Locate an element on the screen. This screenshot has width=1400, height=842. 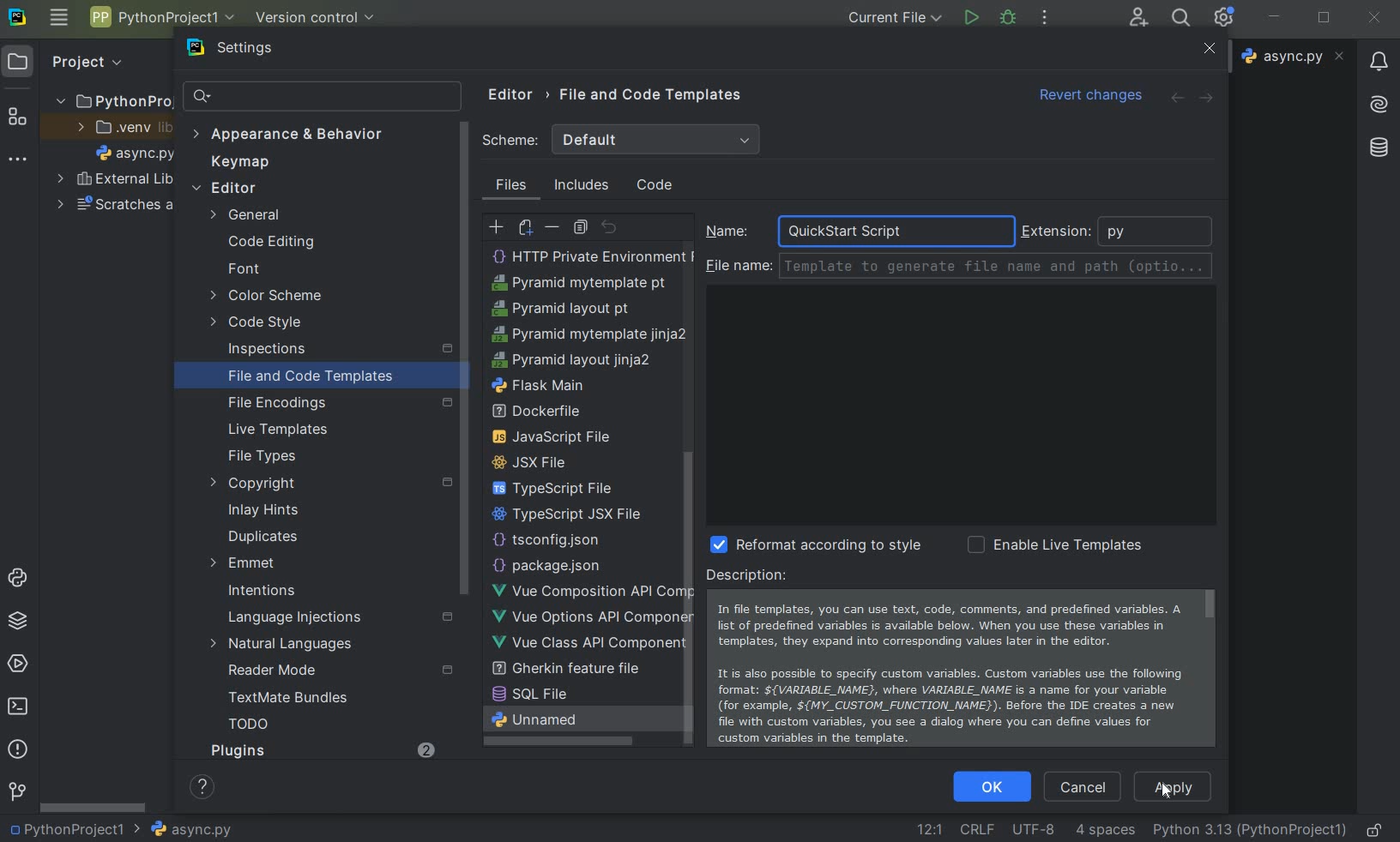
XML Properties File is located at coordinates (569, 510).